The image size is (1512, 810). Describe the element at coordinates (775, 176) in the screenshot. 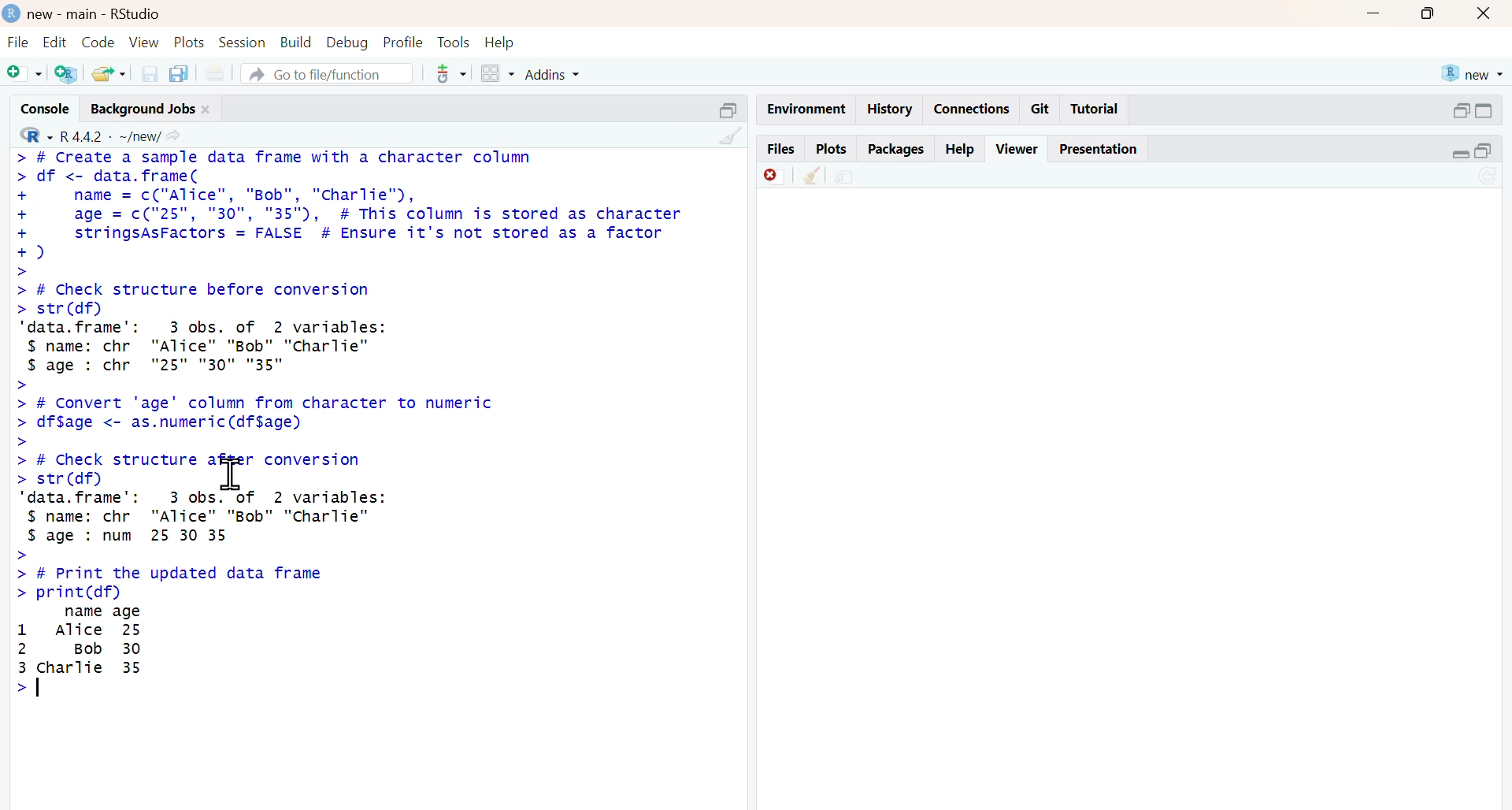

I see `Discard ` at that location.